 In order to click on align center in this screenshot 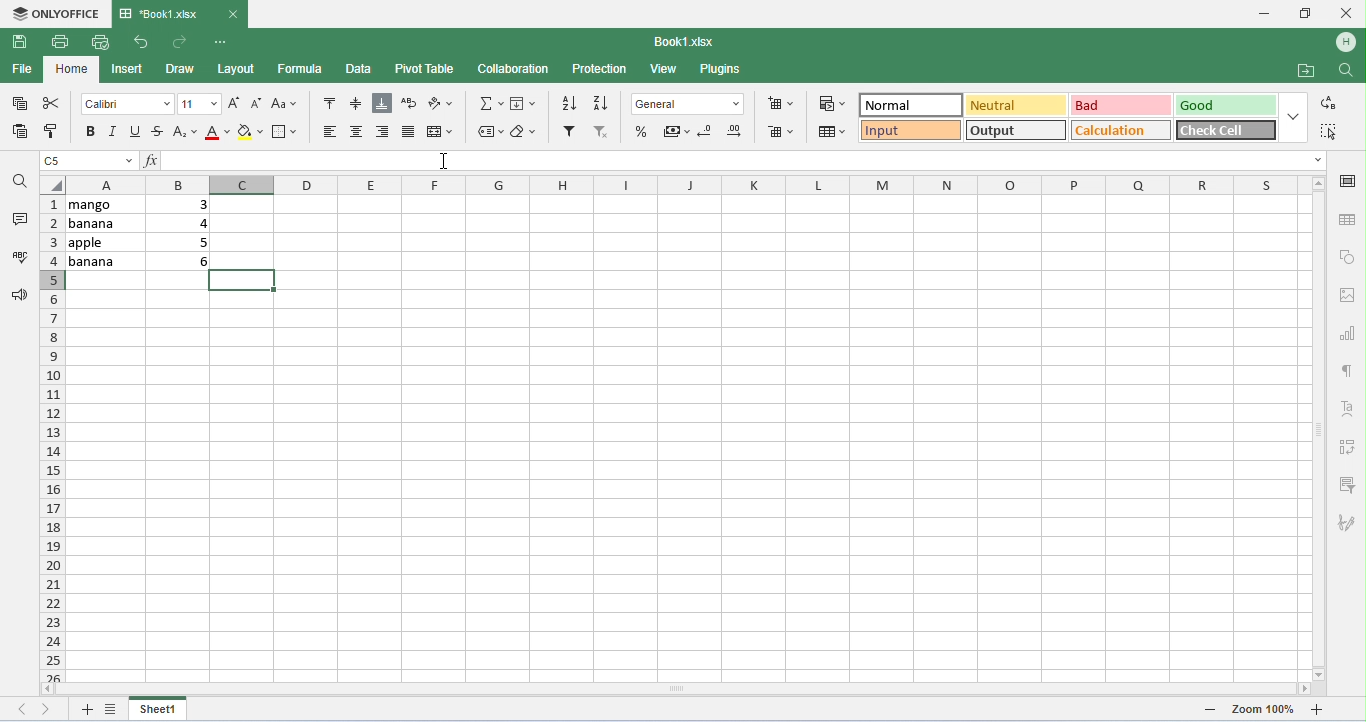, I will do `click(359, 132)`.